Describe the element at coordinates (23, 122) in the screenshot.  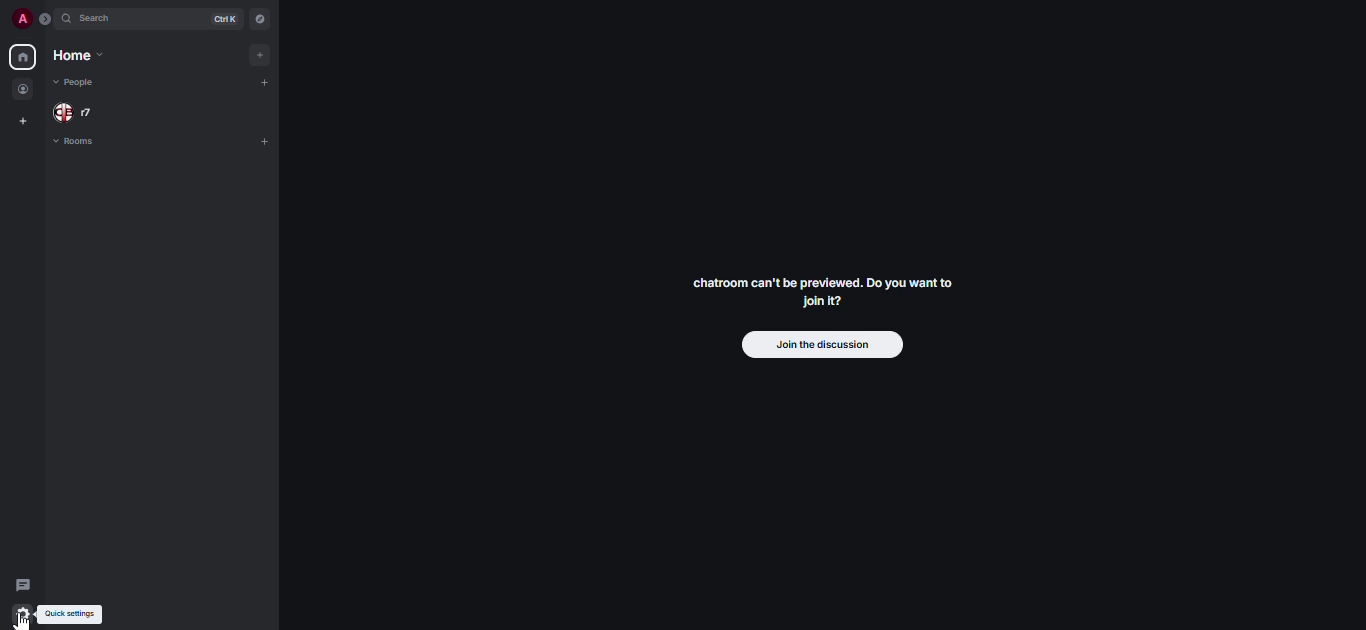
I see `create space` at that location.